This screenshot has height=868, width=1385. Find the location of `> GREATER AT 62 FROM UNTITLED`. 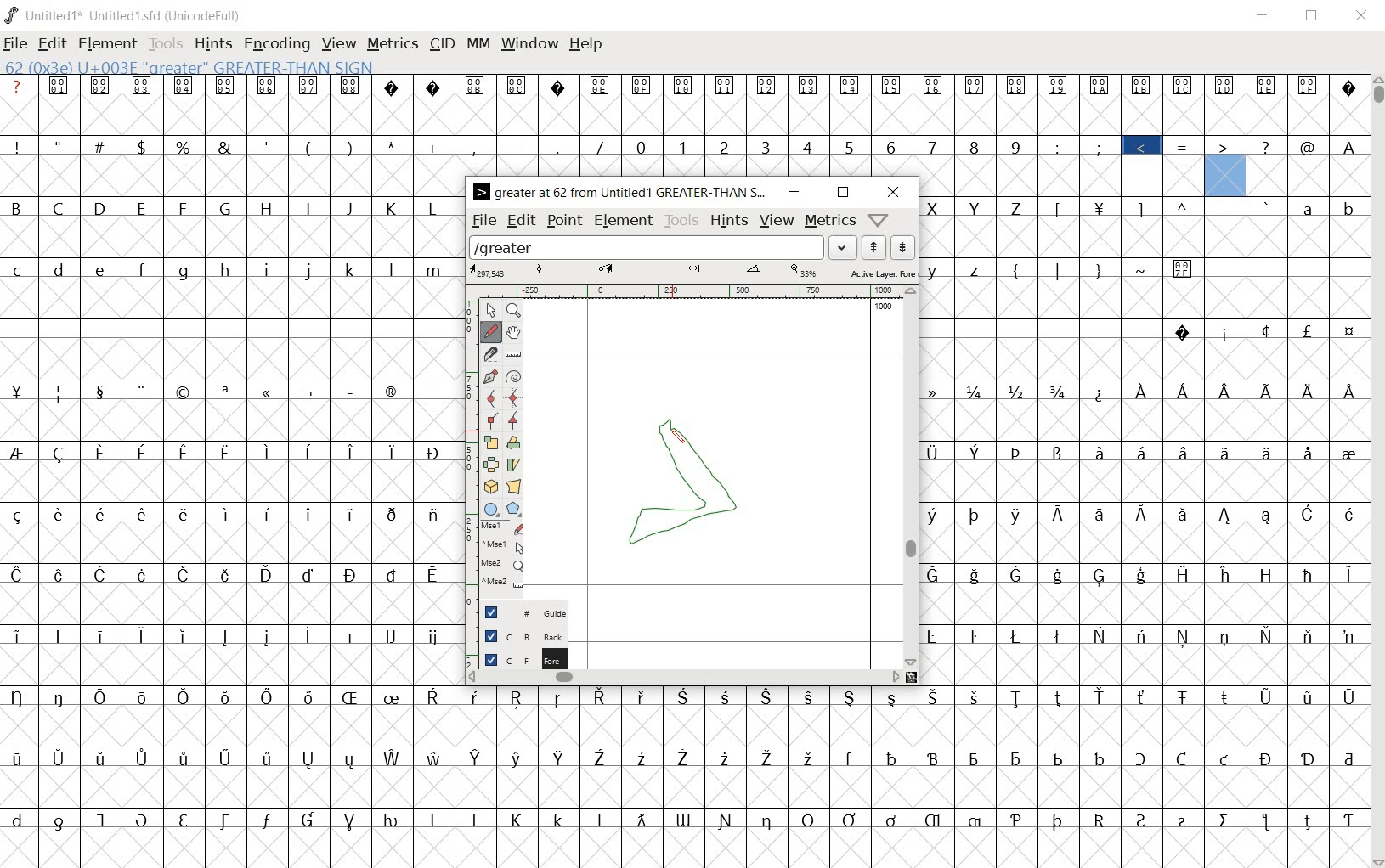

> GREATER AT 62 FROM UNTITLED is located at coordinates (619, 192).